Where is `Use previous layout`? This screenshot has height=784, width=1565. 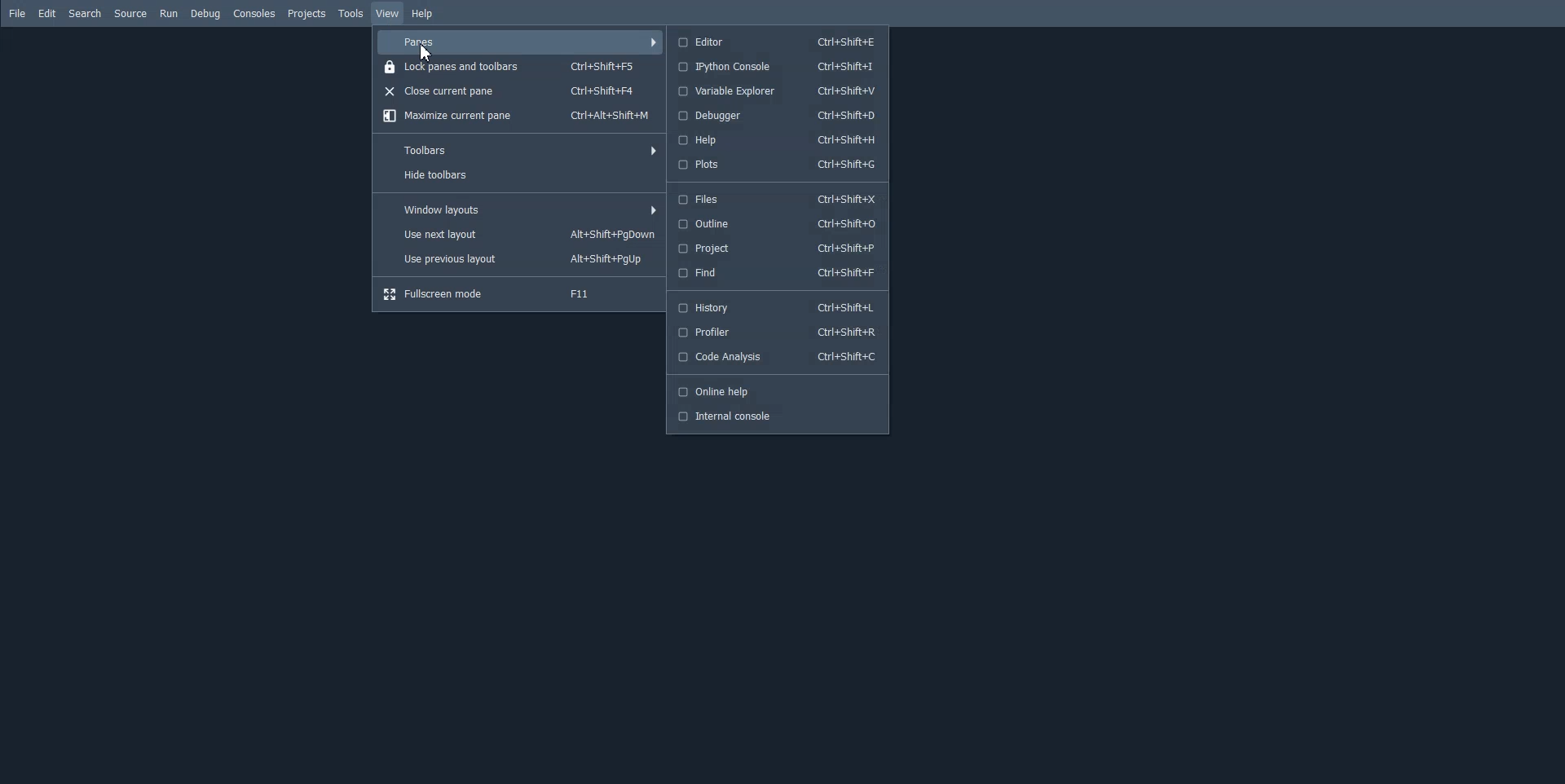 Use previous layout is located at coordinates (519, 261).